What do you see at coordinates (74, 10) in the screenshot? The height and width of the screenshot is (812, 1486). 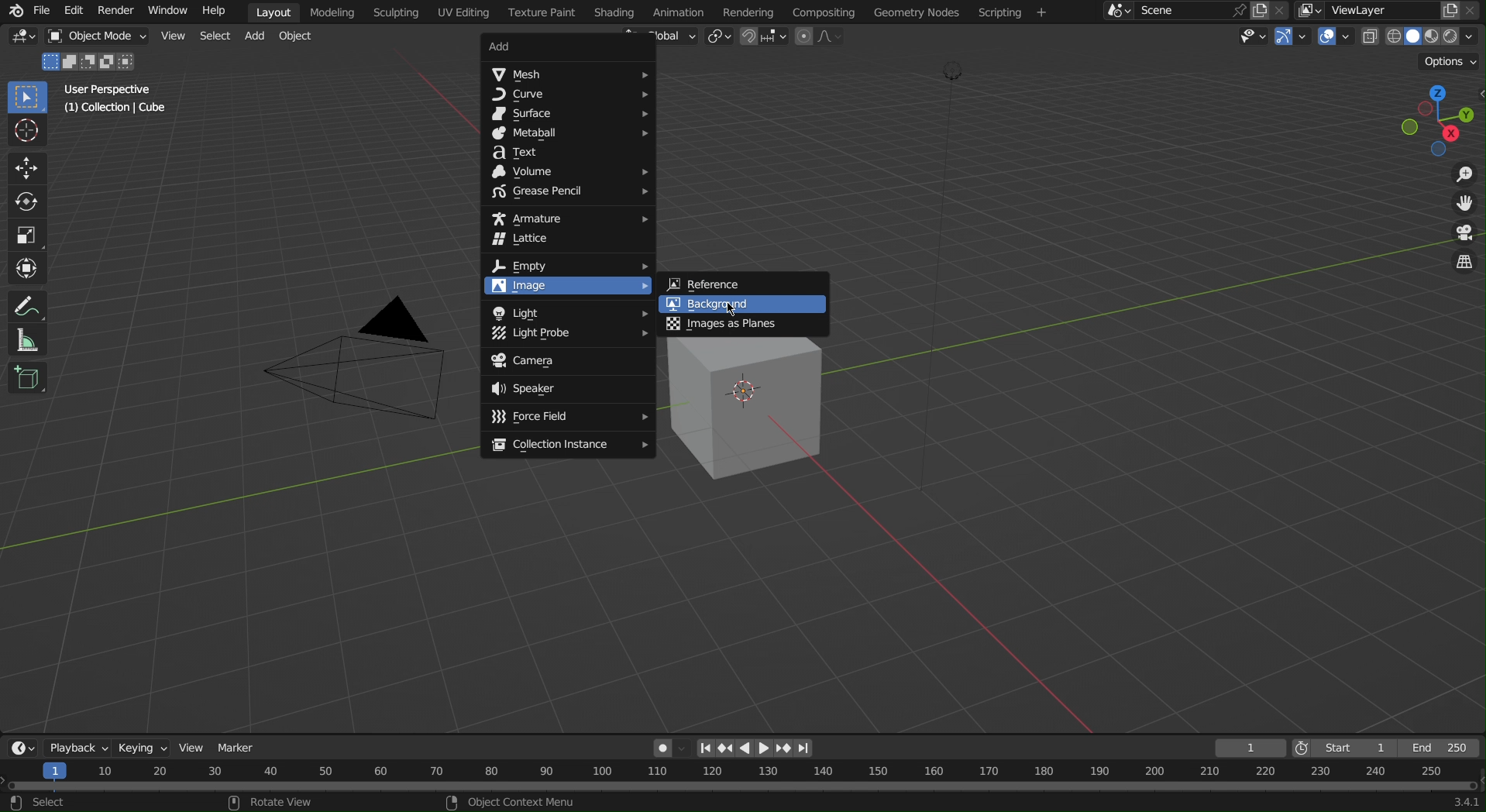 I see `Edit` at bounding box center [74, 10].